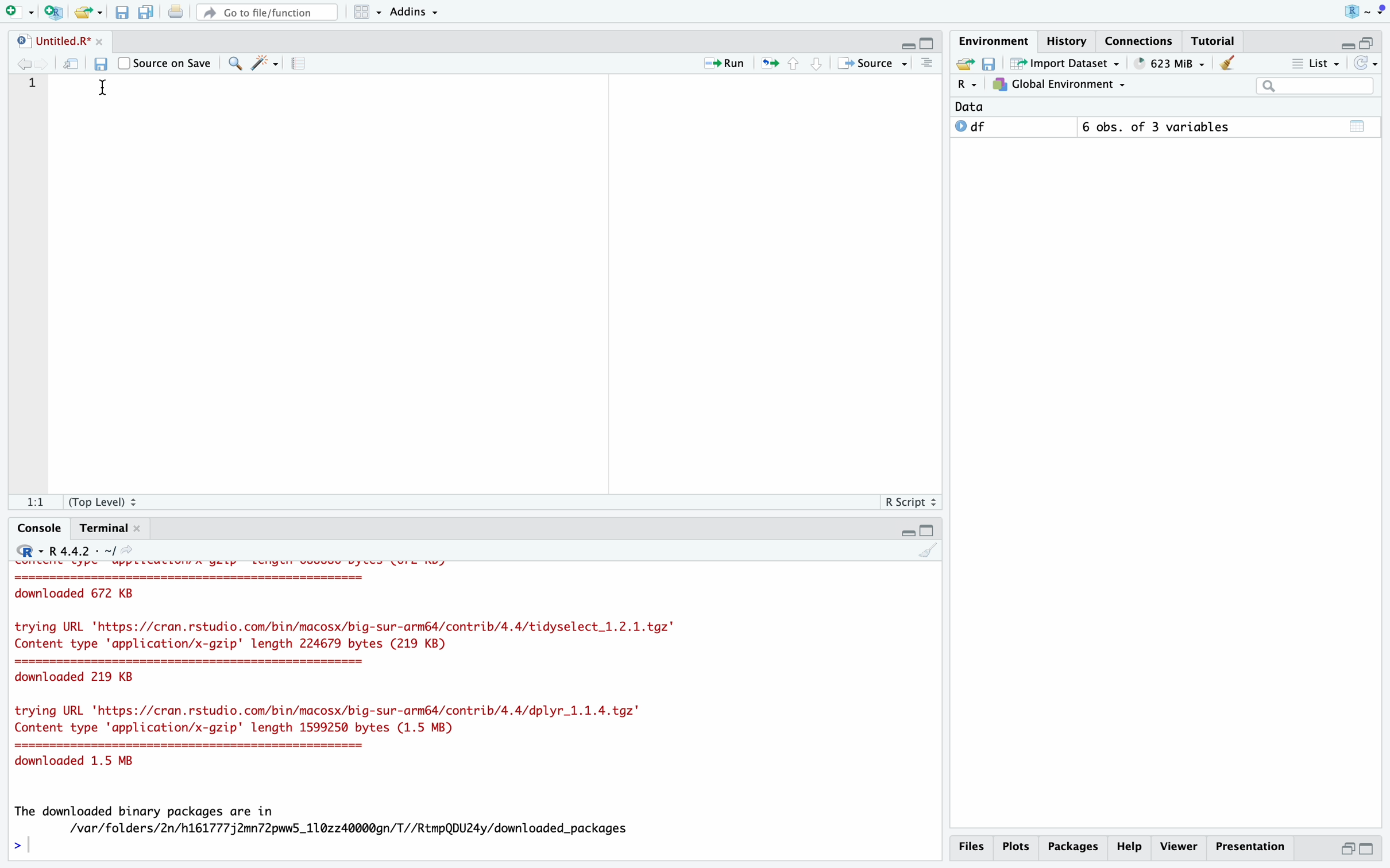 This screenshot has width=1390, height=868. I want to click on Open an existing file, so click(88, 11).